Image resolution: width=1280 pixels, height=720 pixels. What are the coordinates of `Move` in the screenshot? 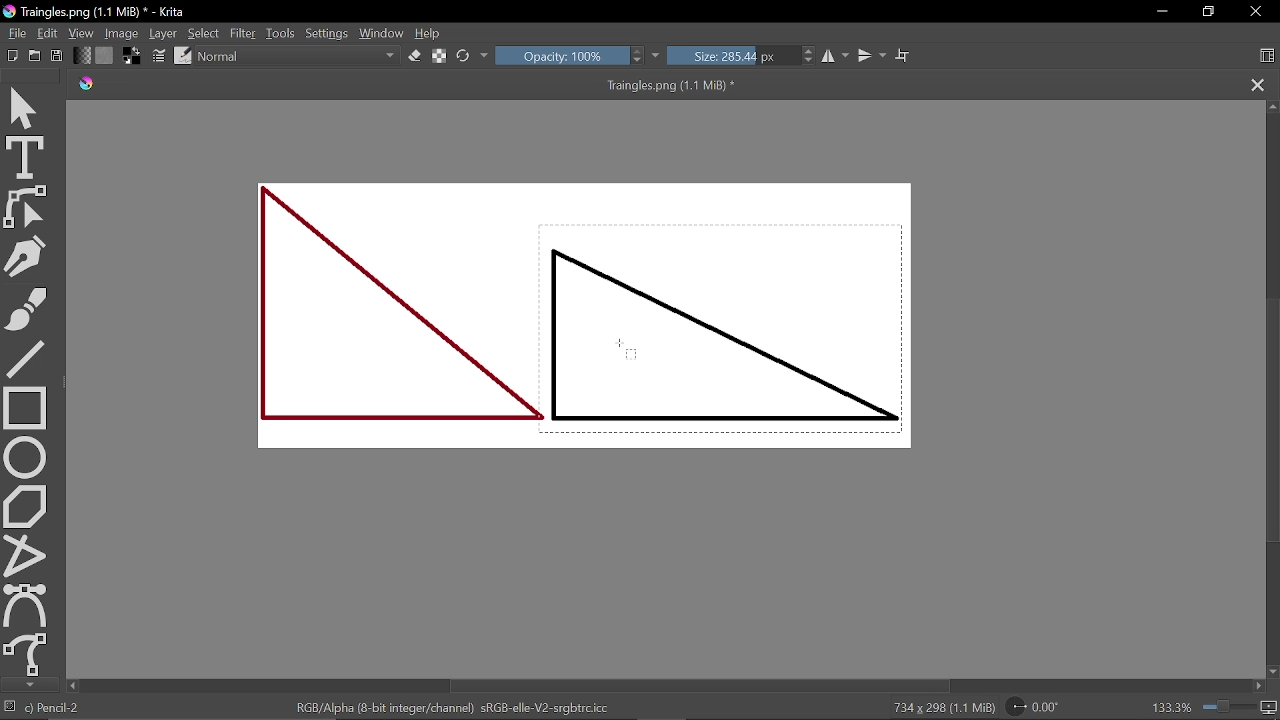 It's located at (27, 104).